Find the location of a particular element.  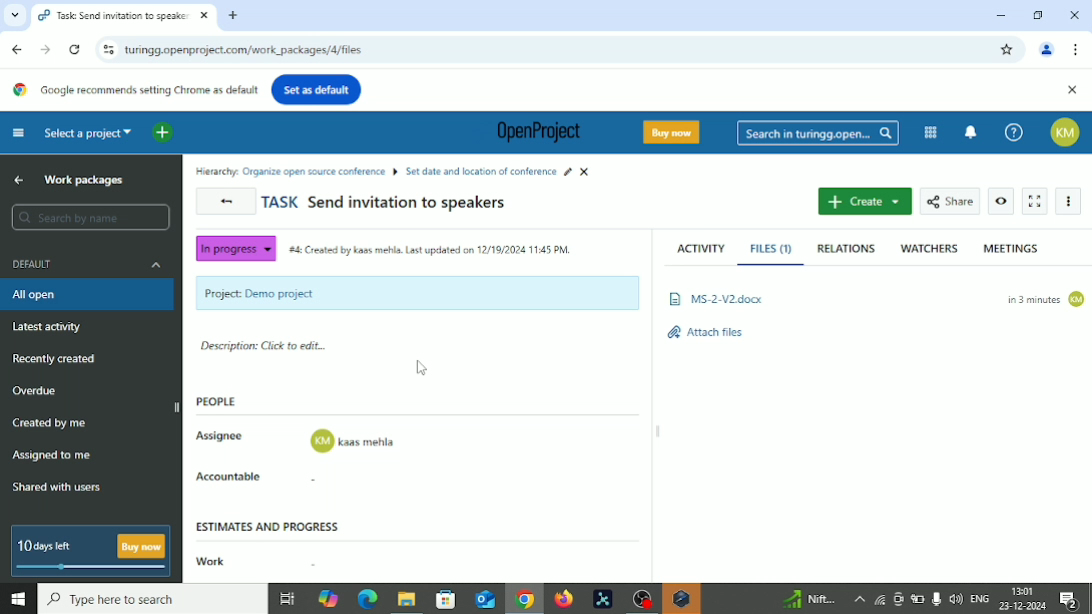

accountable is located at coordinates (354, 481).